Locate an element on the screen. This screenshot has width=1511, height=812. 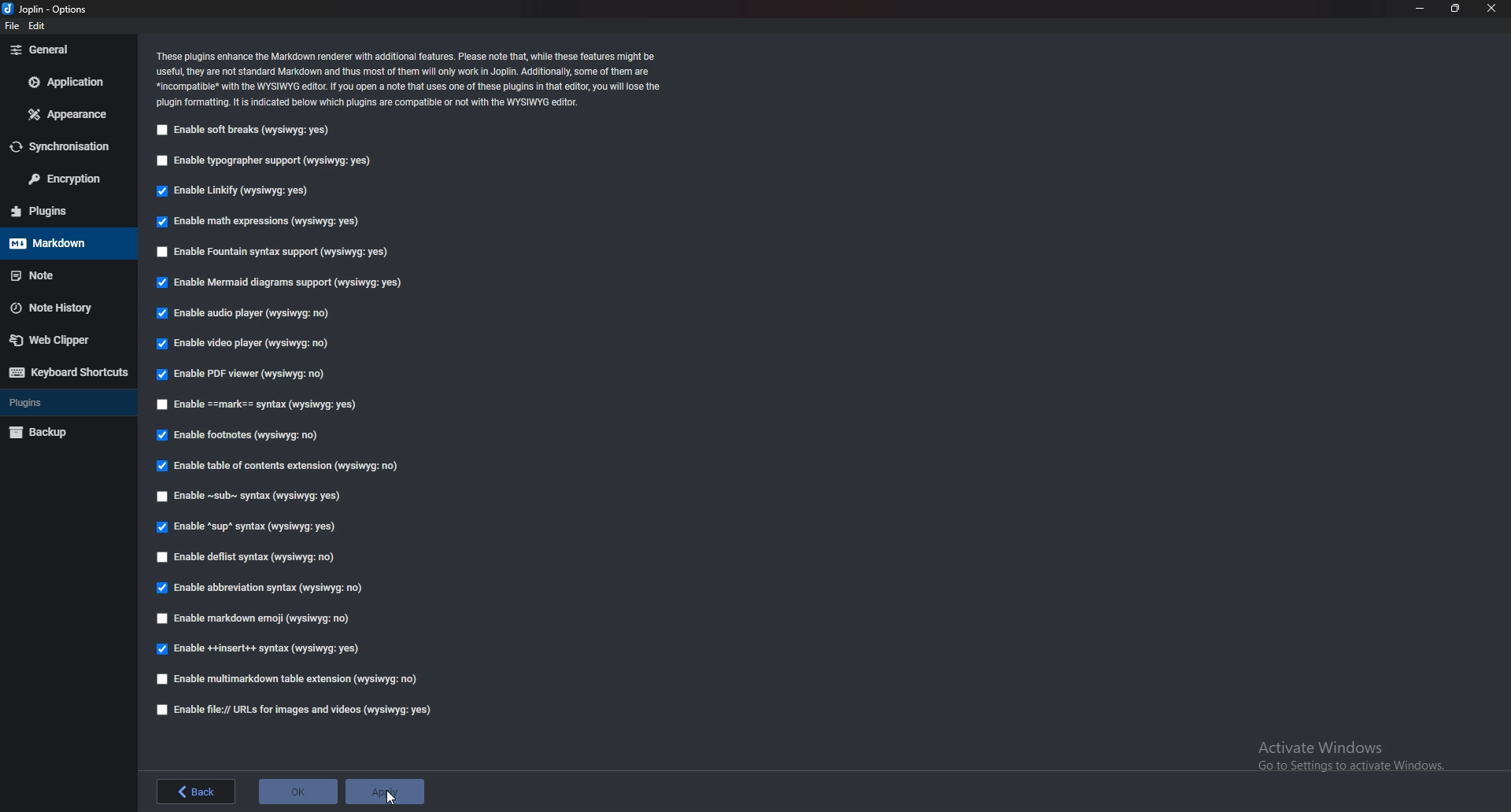
 is located at coordinates (1343, 751).